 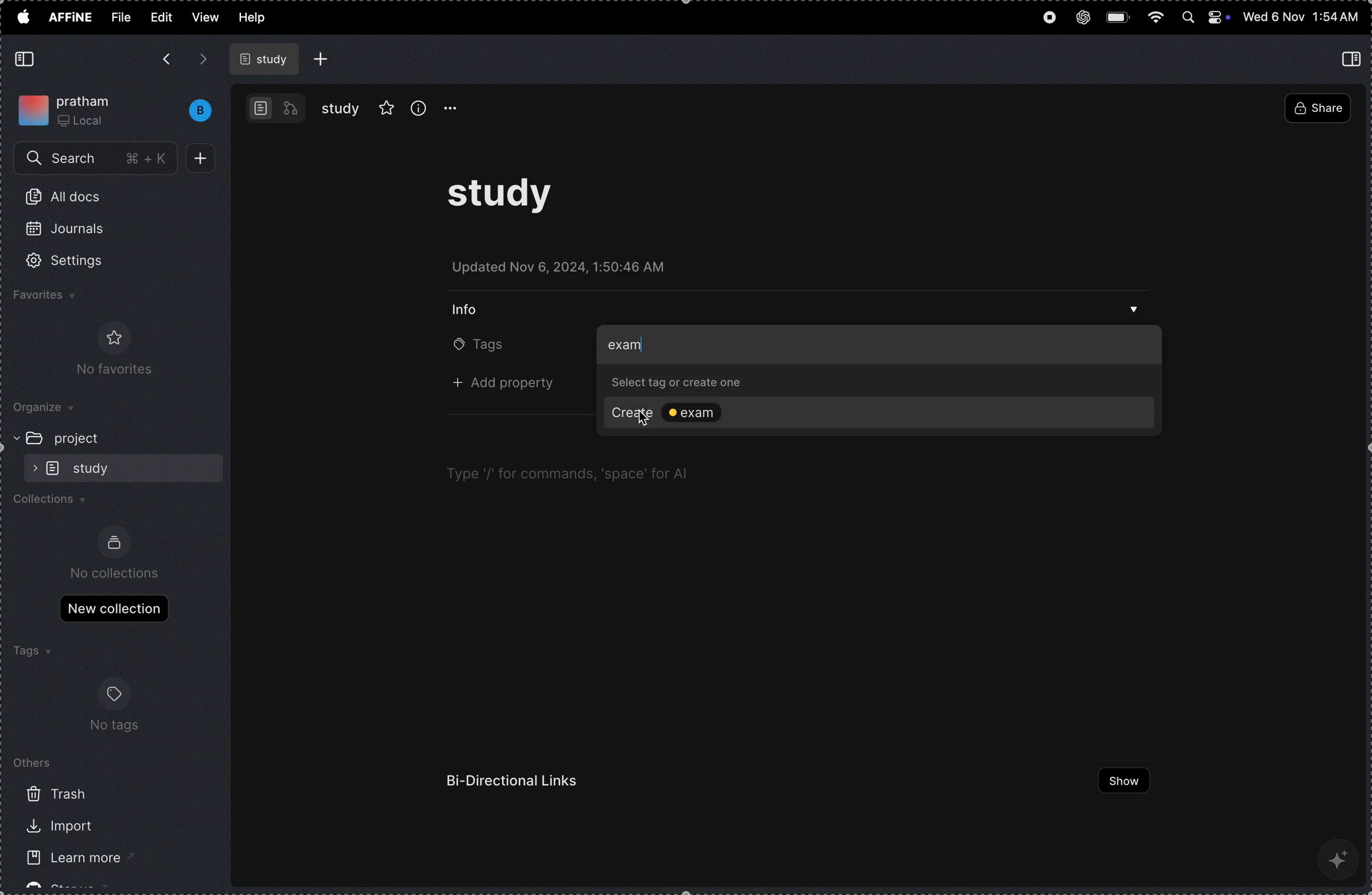 I want to click on work bench, so click(x=276, y=107).